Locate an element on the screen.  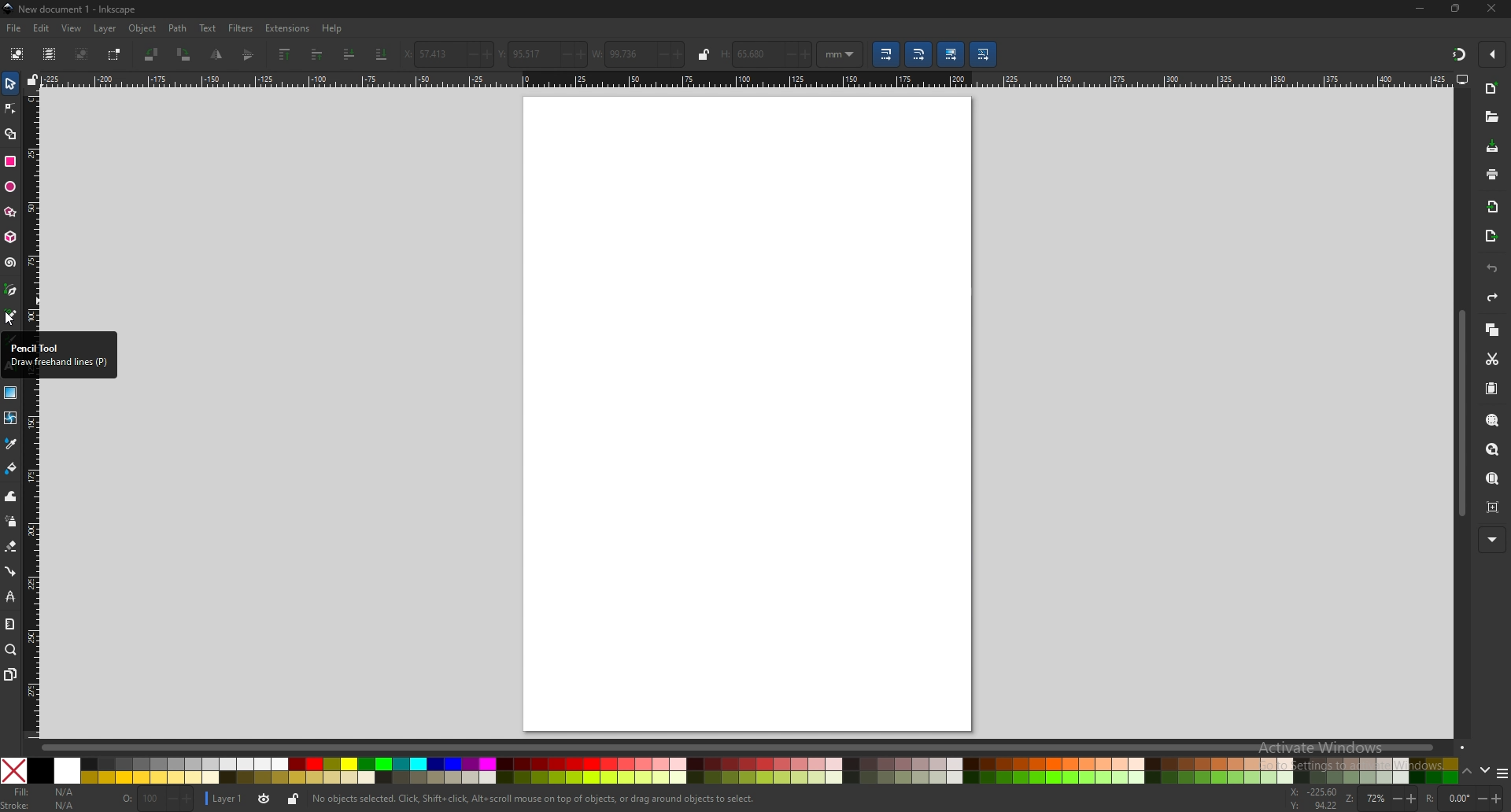
Pencil tool draw freehand lines is located at coordinates (59, 354).